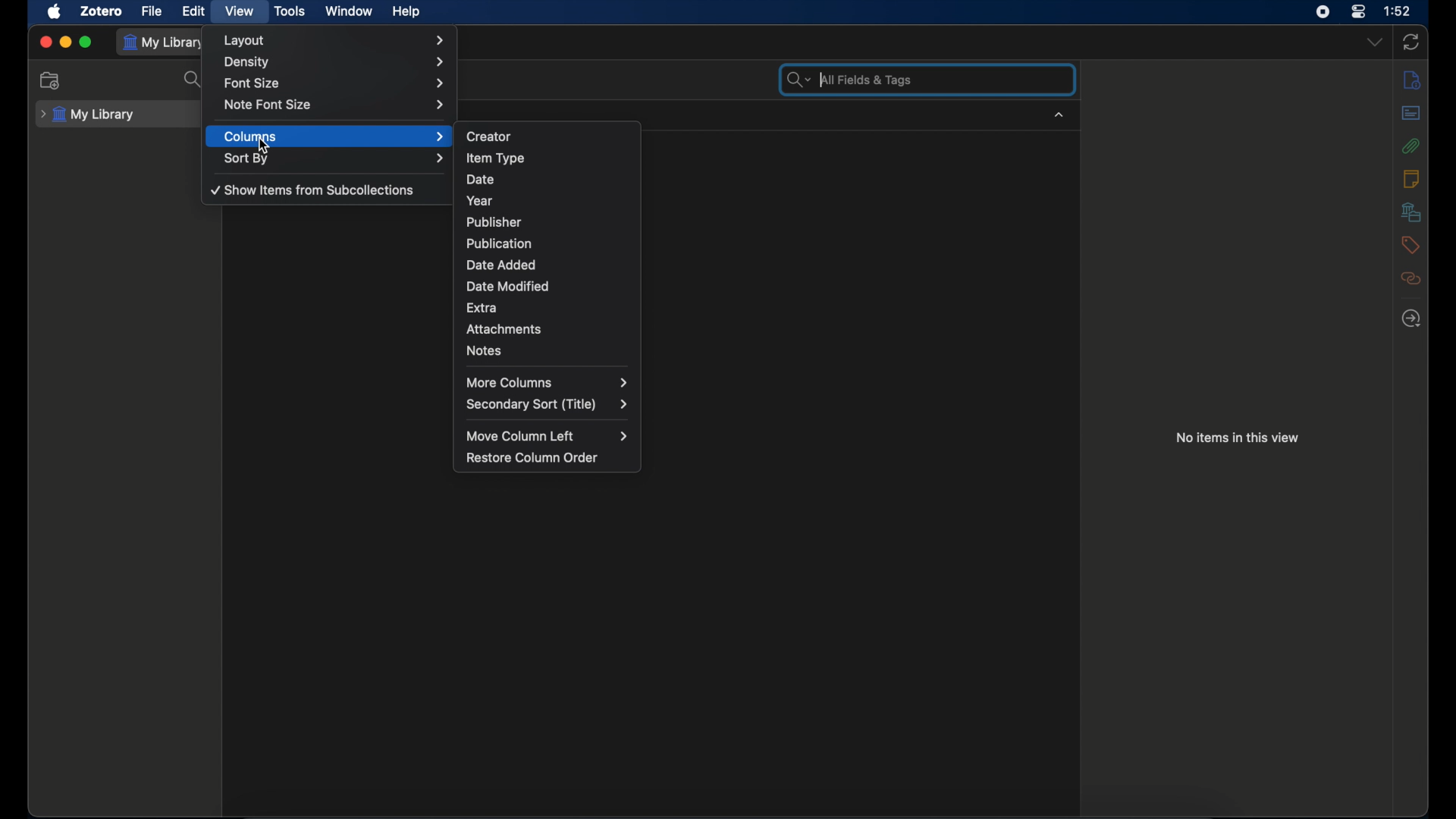  Describe the element at coordinates (103, 12) in the screenshot. I see `zotero` at that location.